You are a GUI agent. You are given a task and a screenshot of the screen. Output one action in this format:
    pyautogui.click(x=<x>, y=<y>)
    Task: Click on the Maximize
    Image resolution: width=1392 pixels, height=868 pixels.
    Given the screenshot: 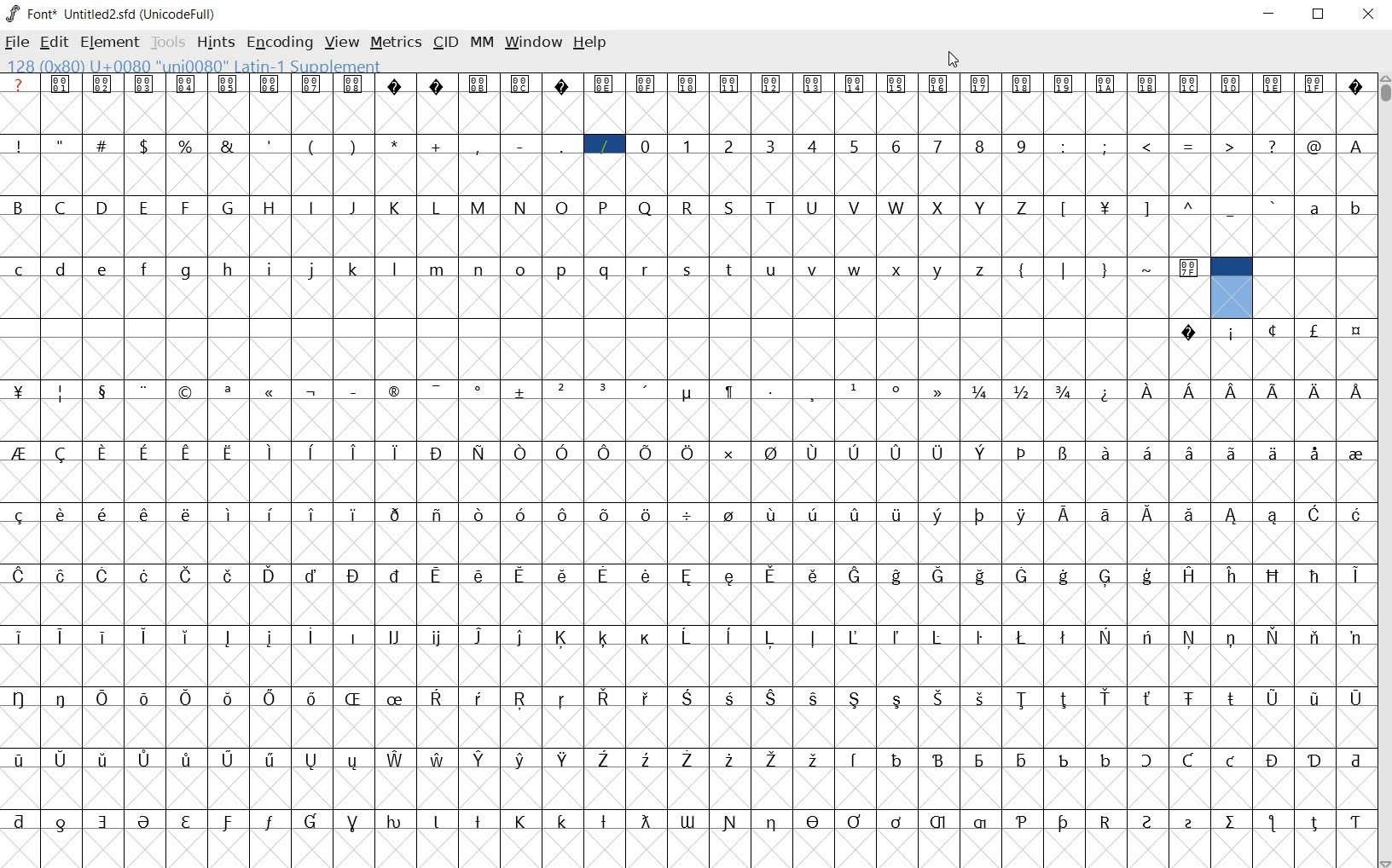 What is the action you would take?
    pyautogui.click(x=1322, y=17)
    